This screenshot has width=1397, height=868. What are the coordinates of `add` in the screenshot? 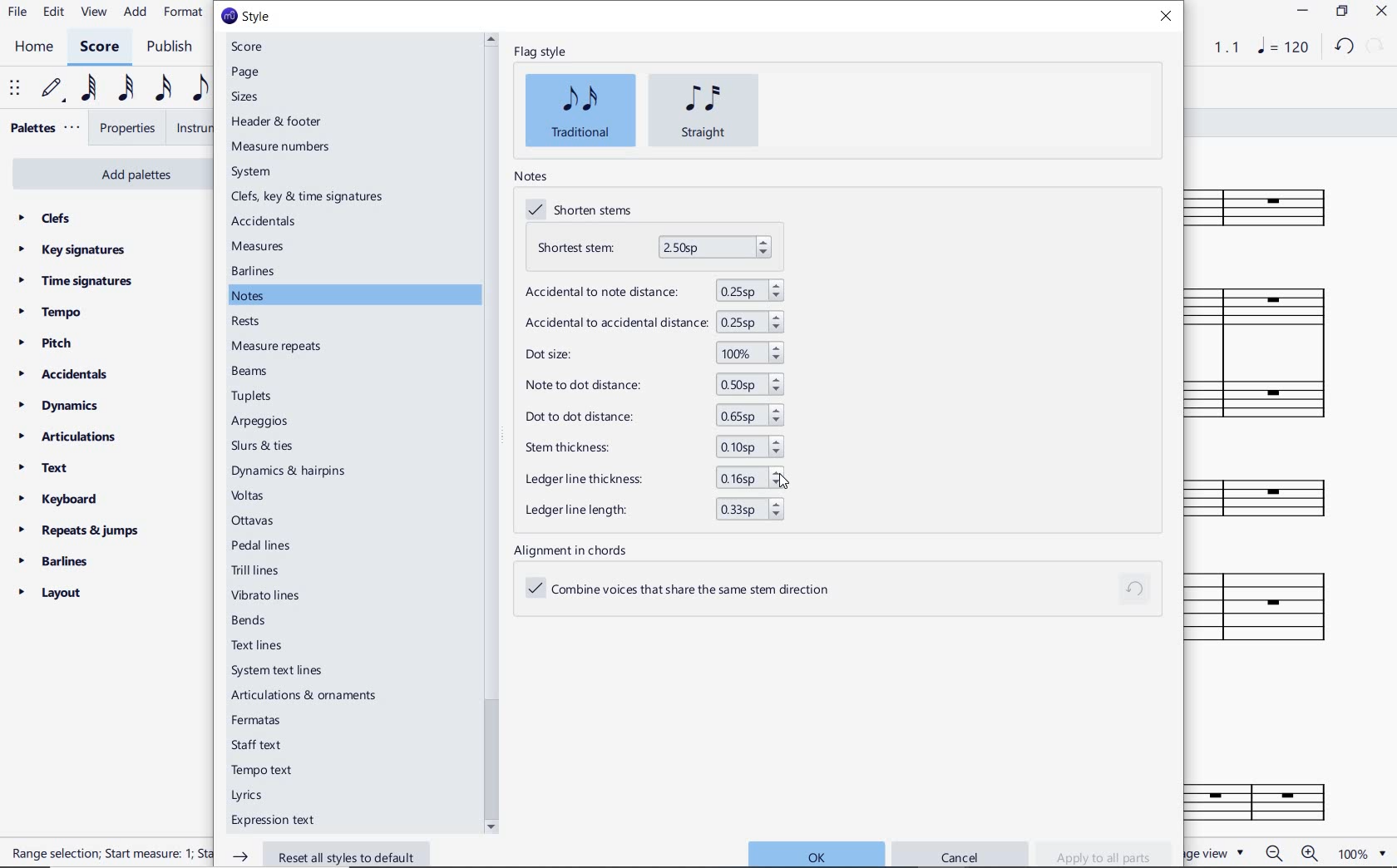 It's located at (136, 13).